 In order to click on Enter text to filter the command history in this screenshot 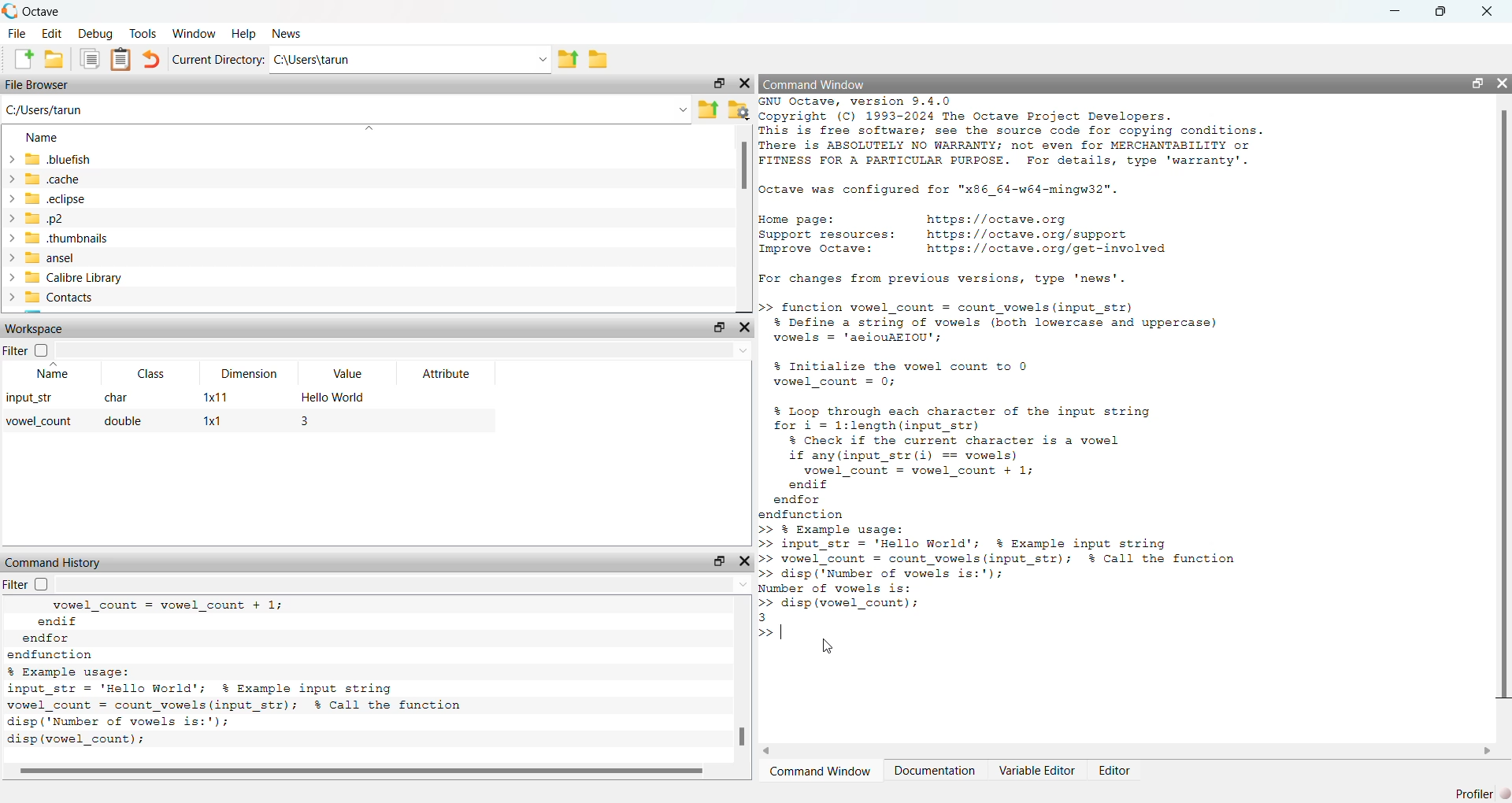, I will do `click(406, 584)`.